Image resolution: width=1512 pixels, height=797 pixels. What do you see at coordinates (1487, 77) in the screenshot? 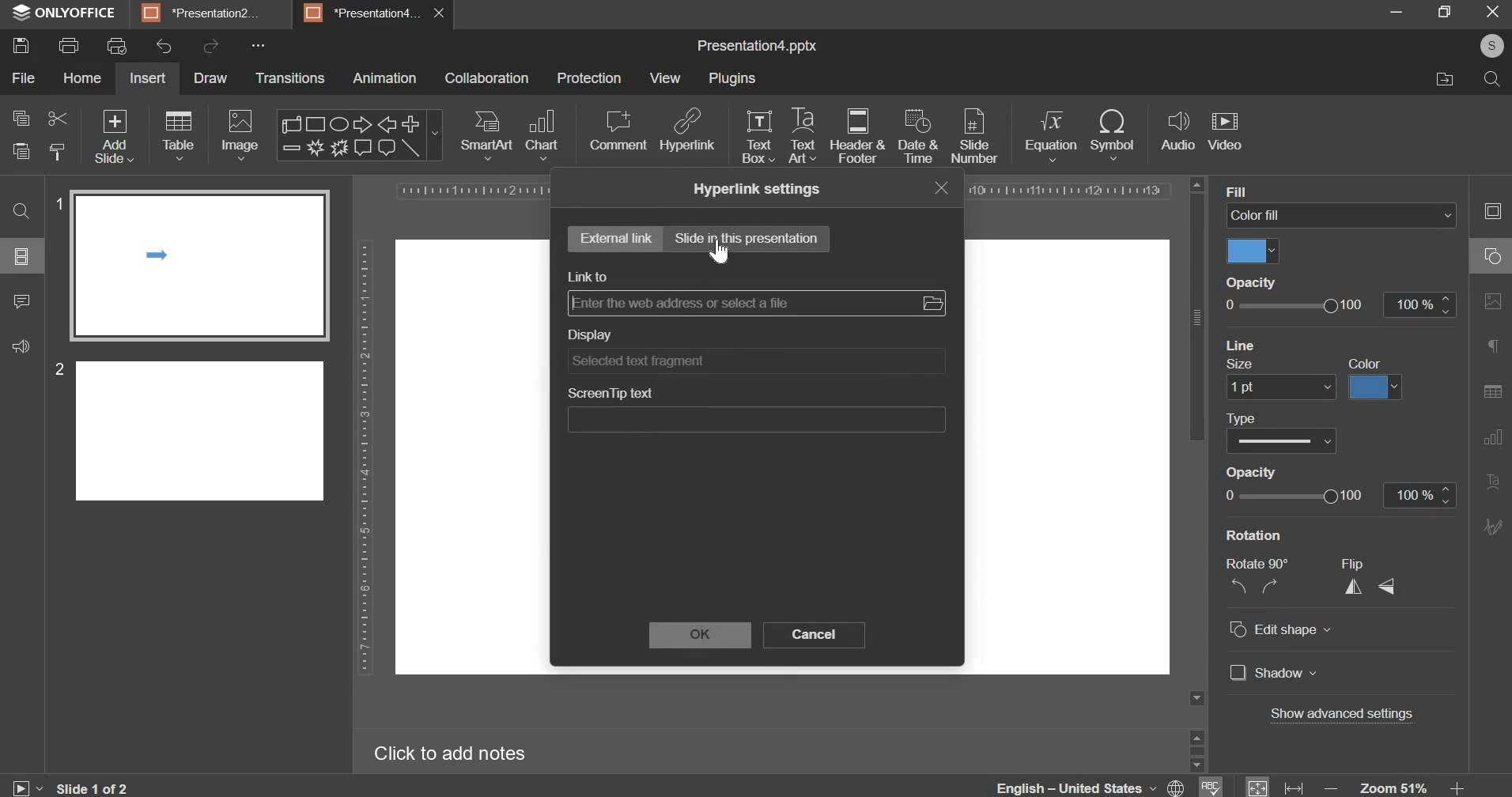
I see `search` at bounding box center [1487, 77].